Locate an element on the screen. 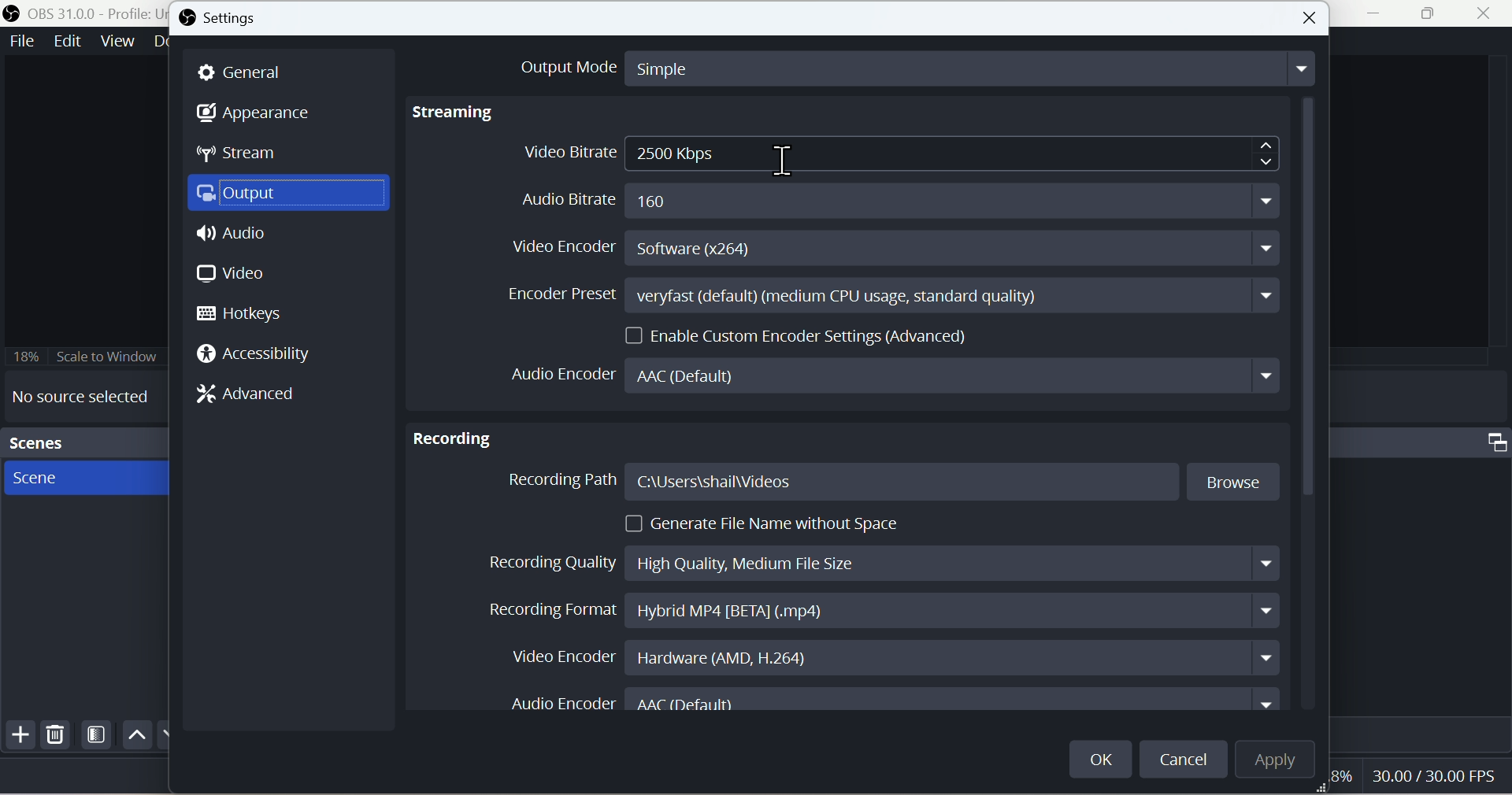 The image size is (1512, 795). View is located at coordinates (117, 42).